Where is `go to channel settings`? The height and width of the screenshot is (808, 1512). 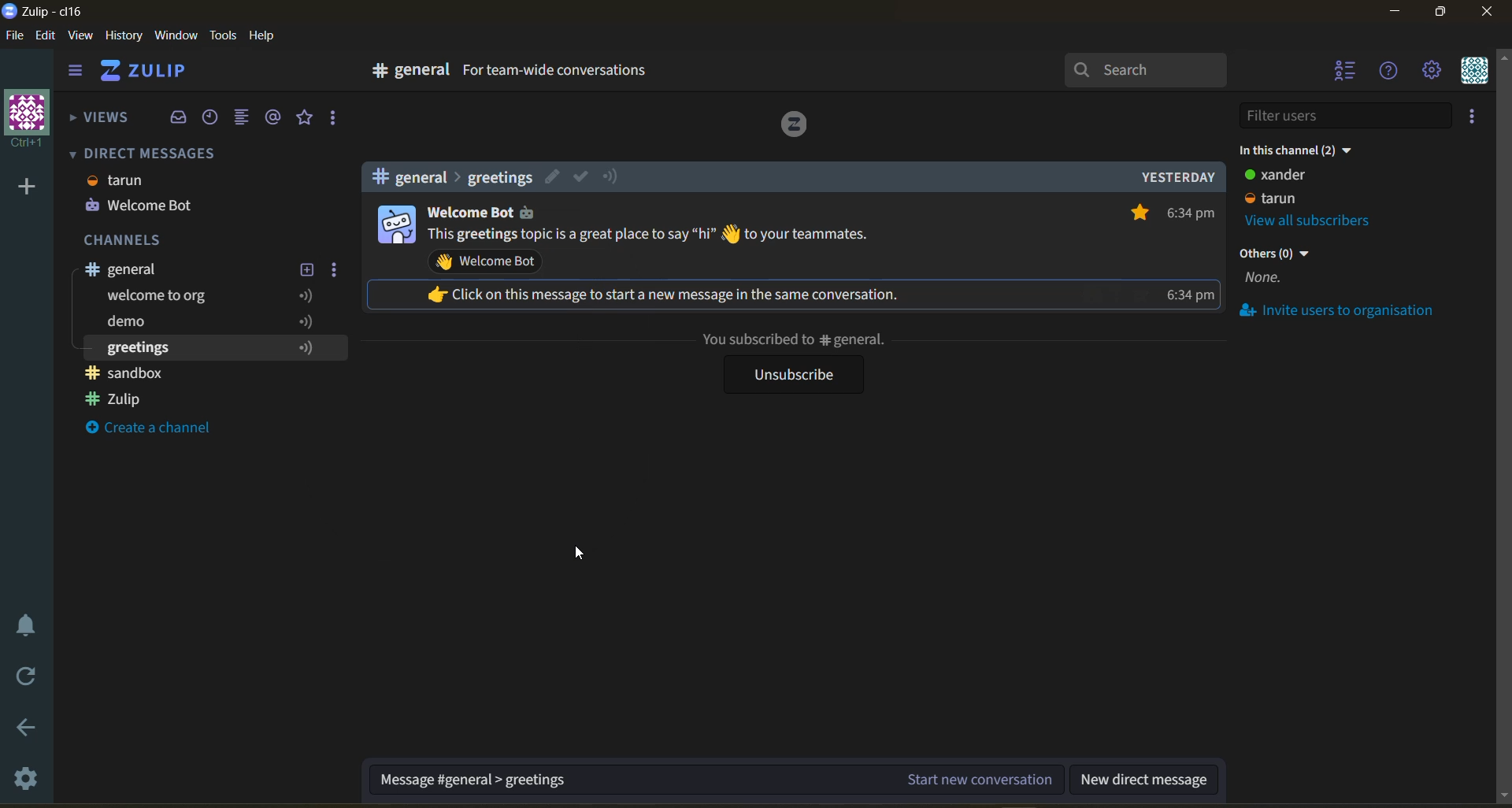 go to channel settings is located at coordinates (402, 74).